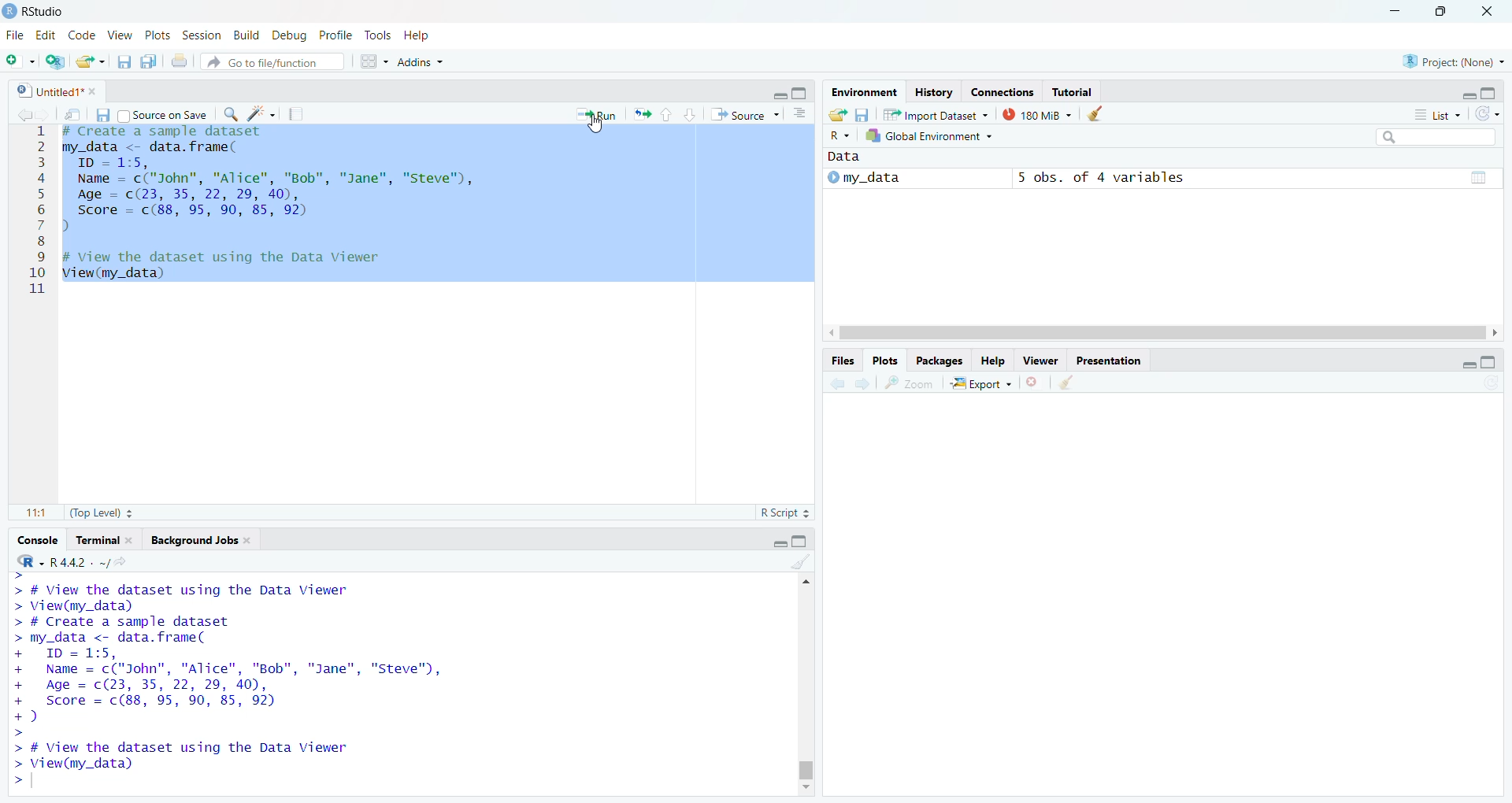 The width and height of the screenshot is (1512, 803). Describe the element at coordinates (272, 61) in the screenshot. I see `Go to file function` at that location.